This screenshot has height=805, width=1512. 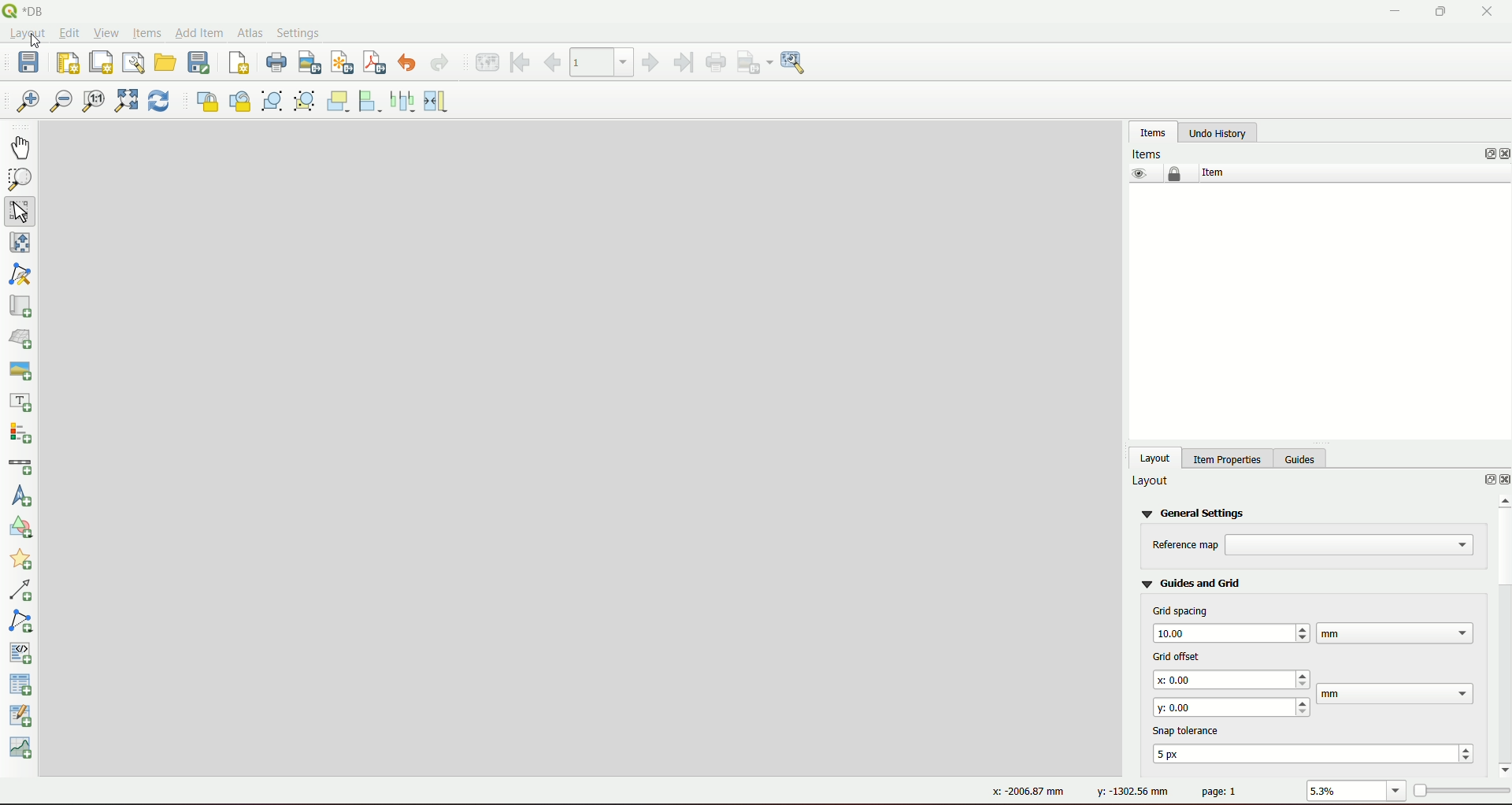 I want to click on export as svg, so click(x=340, y=62).